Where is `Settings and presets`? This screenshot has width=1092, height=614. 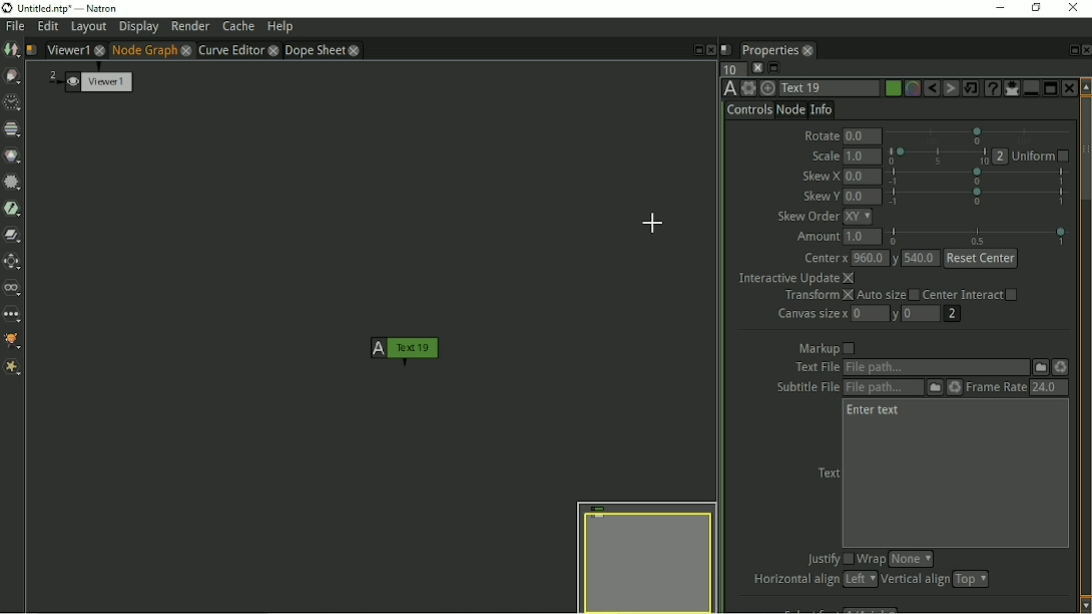 Settings and presets is located at coordinates (749, 88).